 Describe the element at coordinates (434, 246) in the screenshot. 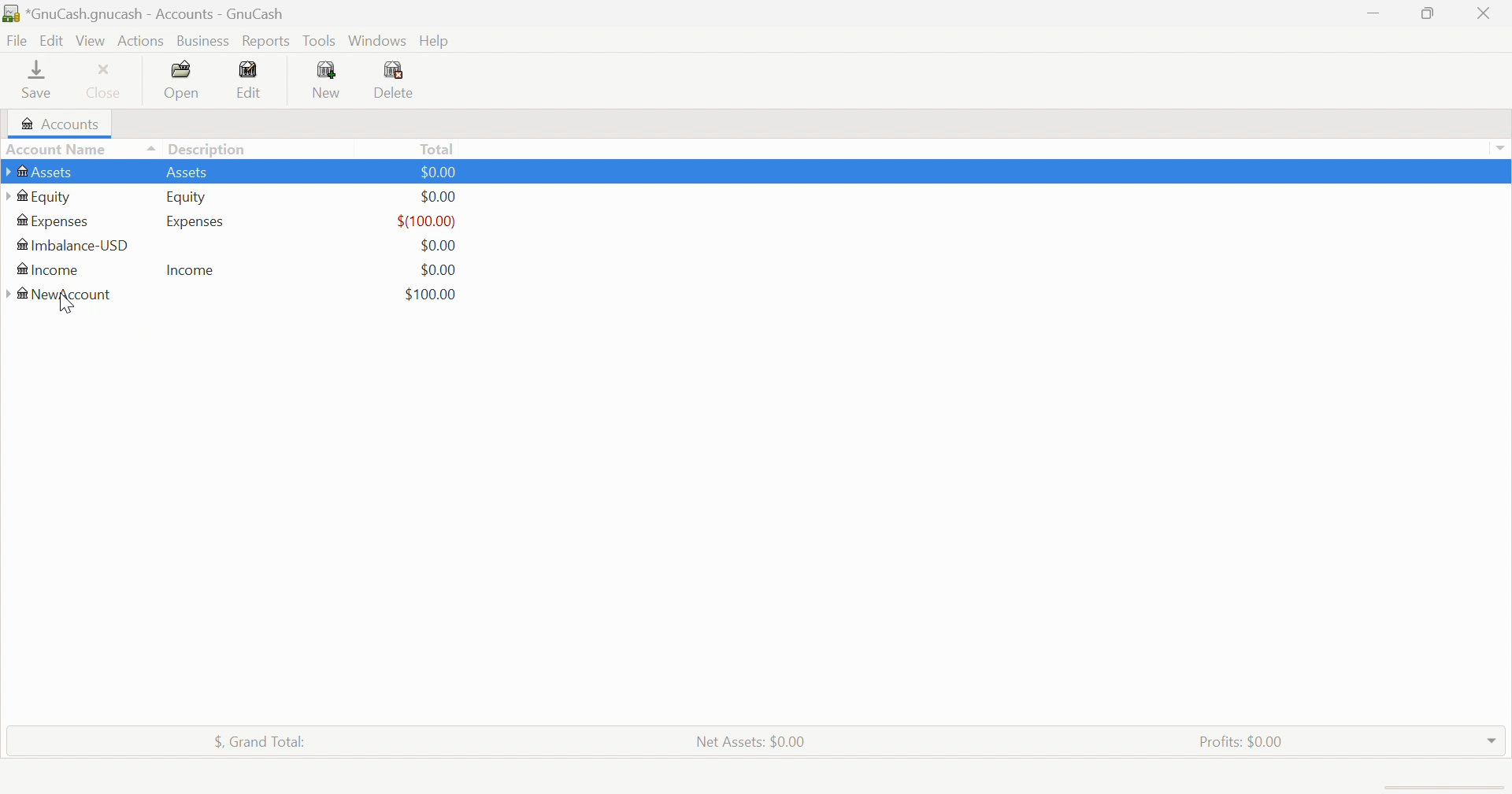

I see `$0.00` at that location.